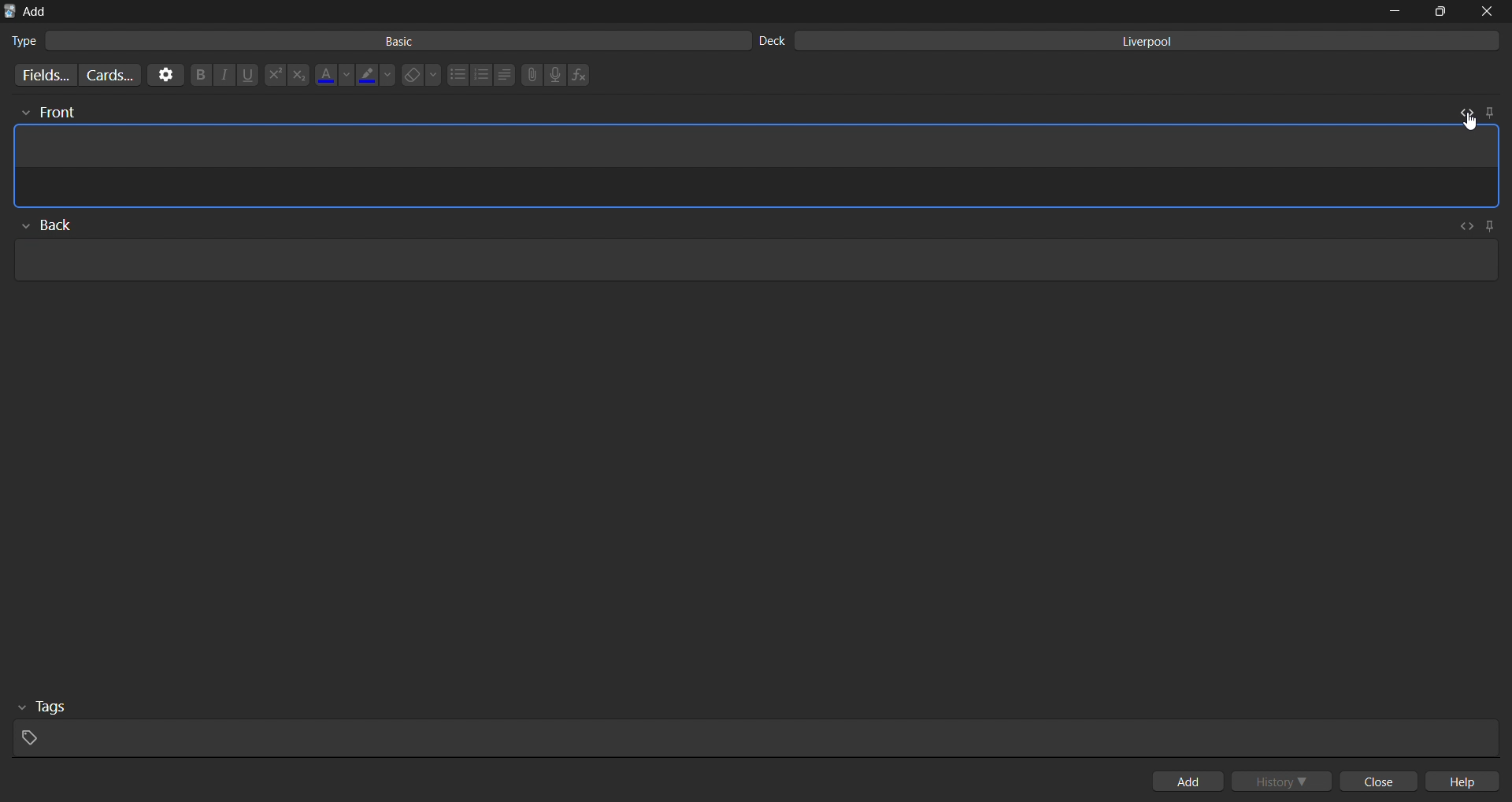 This screenshot has width=1512, height=802. I want to click on bold, so click(198, 76).